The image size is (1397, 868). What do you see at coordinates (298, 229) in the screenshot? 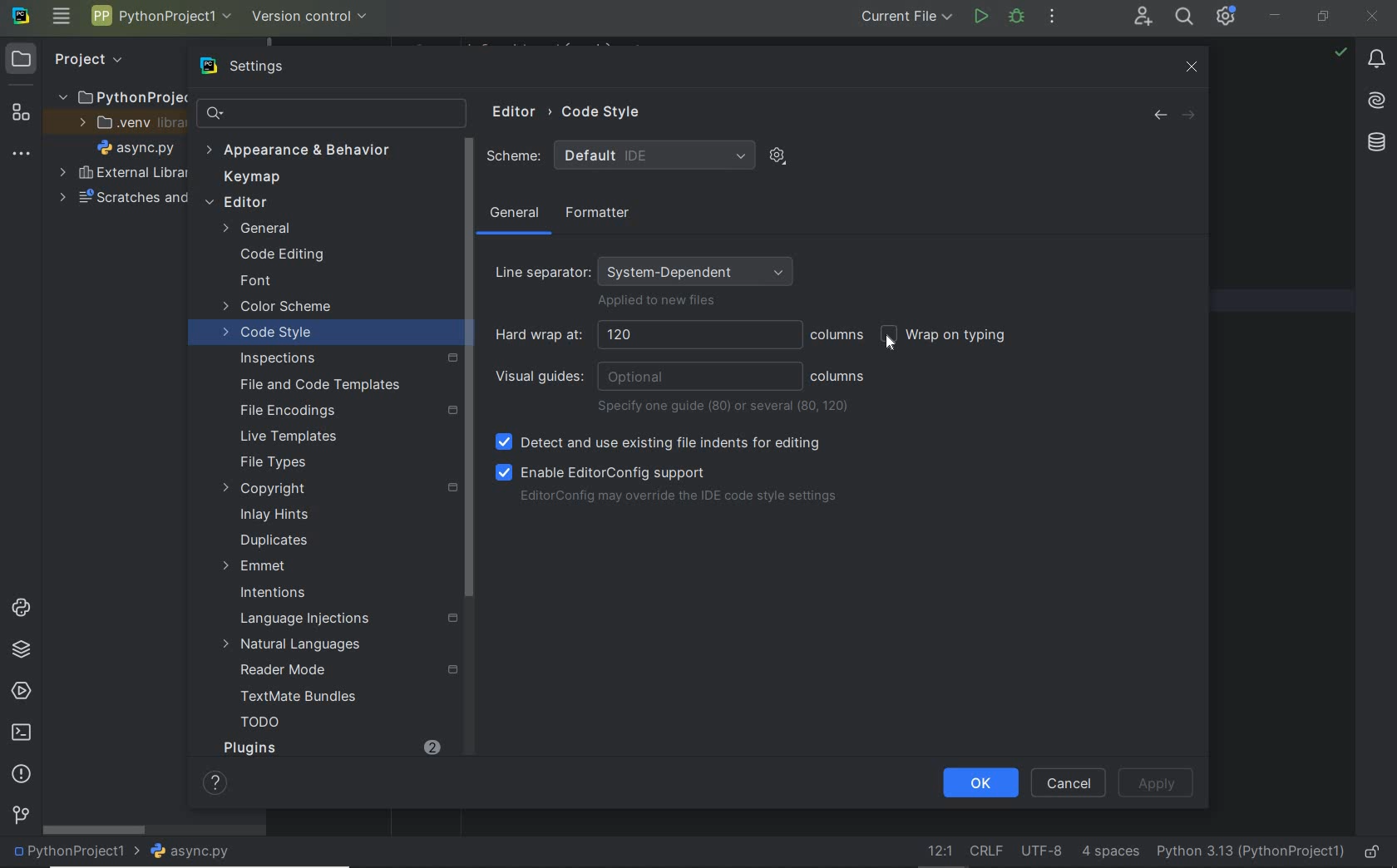
I see `General` at bounding box center [298, 229].